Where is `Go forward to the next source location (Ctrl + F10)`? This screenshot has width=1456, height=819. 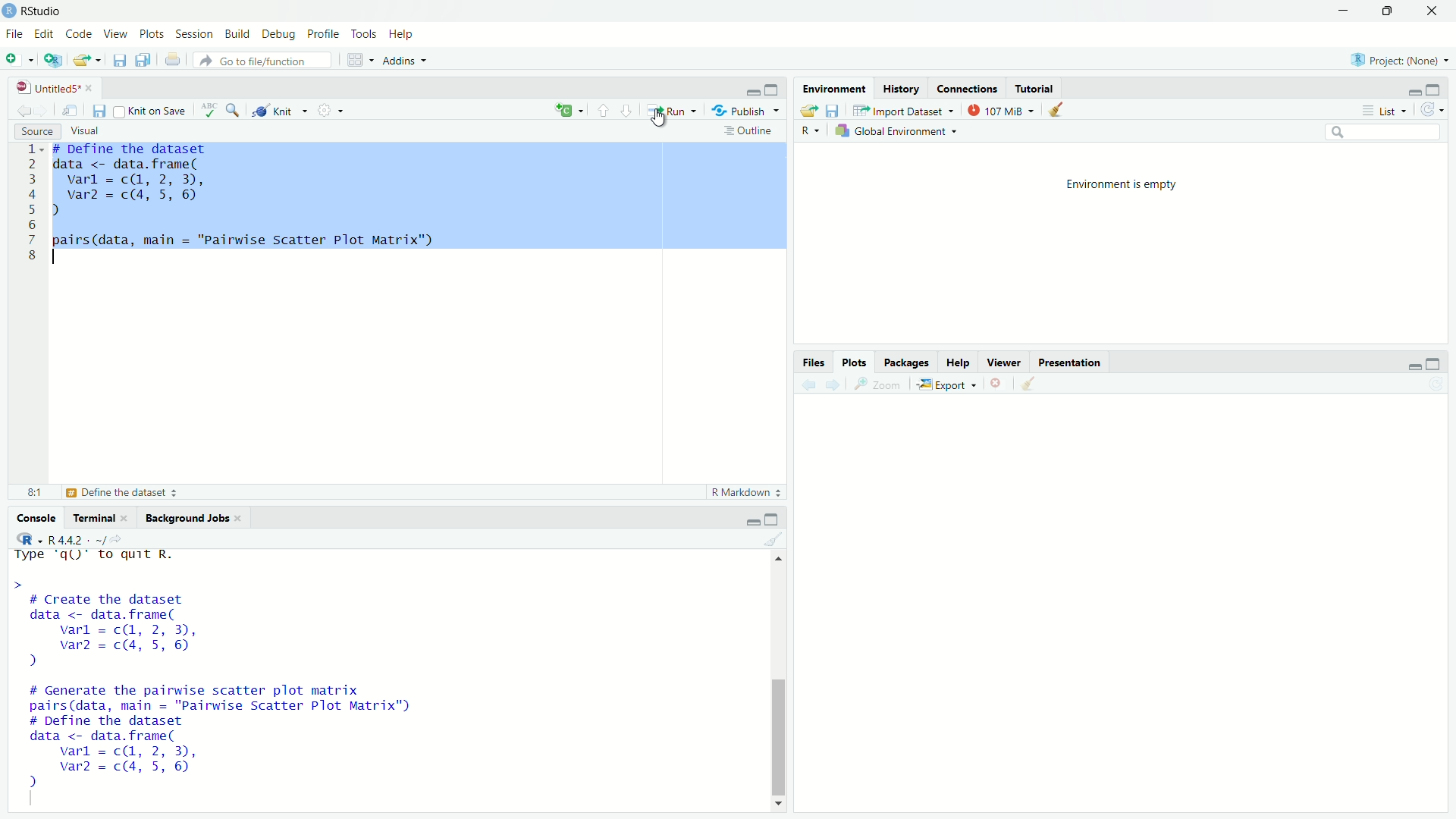 Go forward to the next source location (Ctrl + F10) is located at coordinates (830, 383).